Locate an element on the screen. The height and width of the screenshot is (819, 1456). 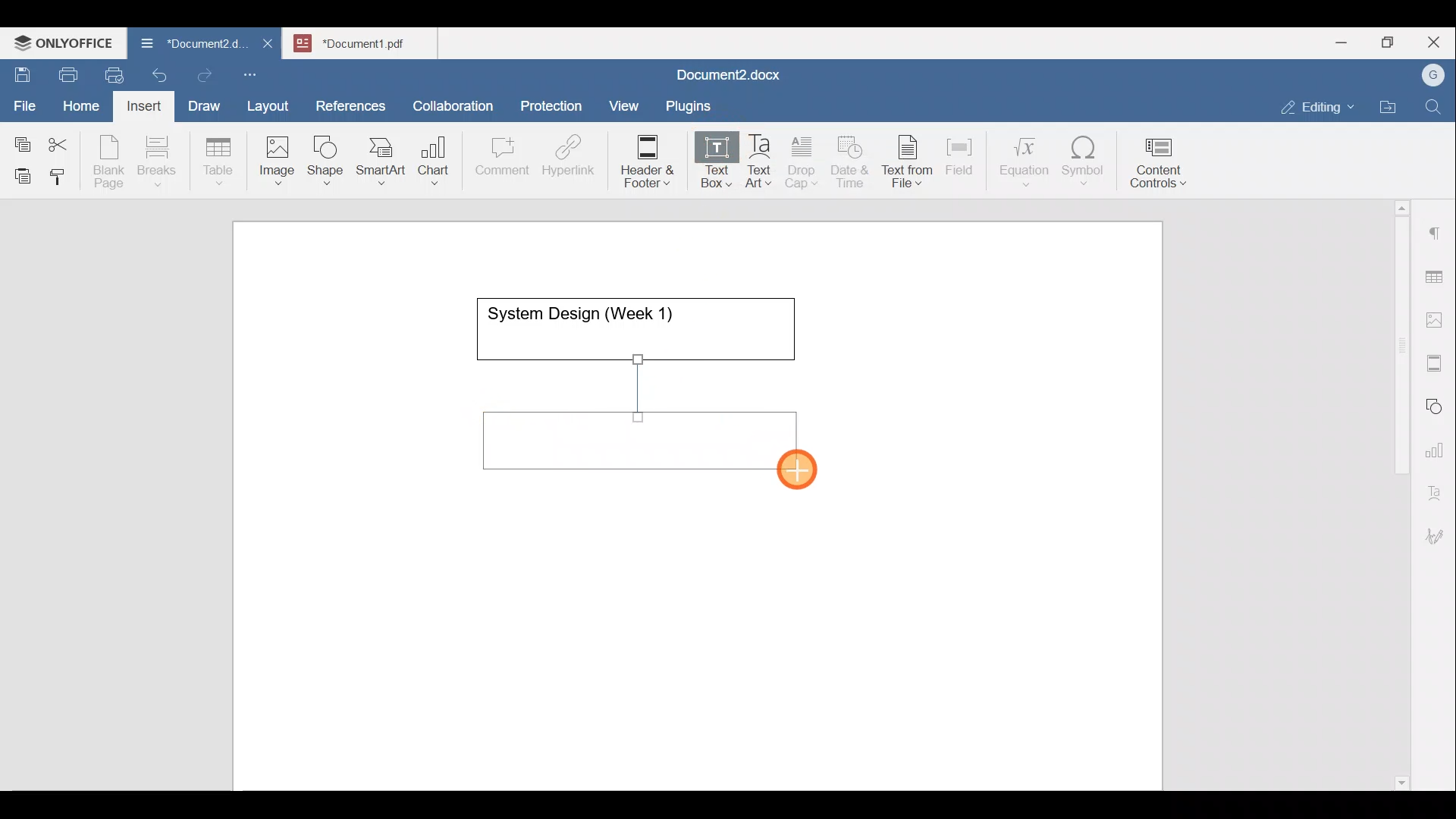
Symbol is located at coordinates (1084, 165).